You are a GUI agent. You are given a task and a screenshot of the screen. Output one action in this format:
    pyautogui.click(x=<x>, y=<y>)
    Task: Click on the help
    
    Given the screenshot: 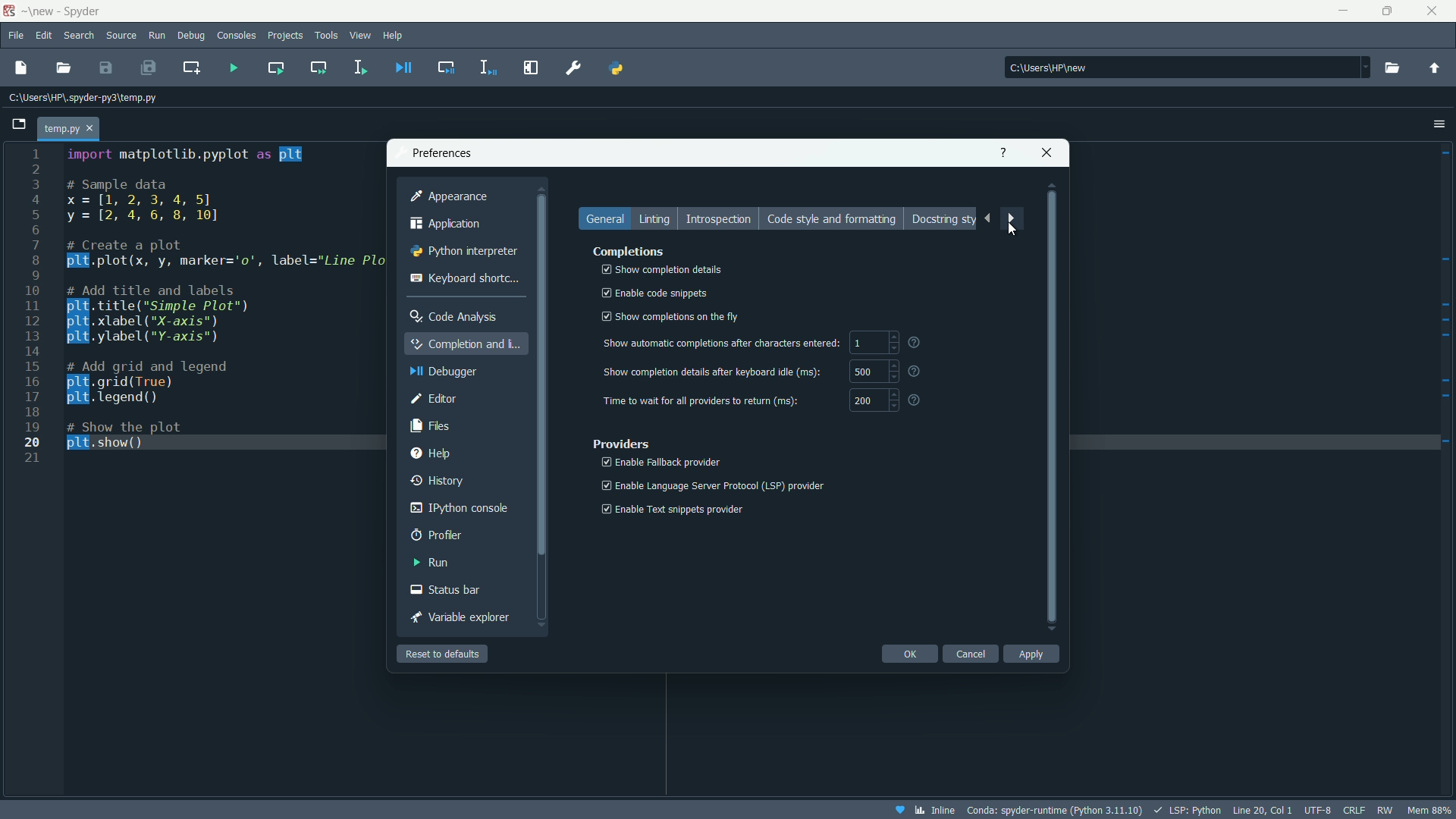 What is the action you would take?
    pyautogui.click(x=431, y=453)
    